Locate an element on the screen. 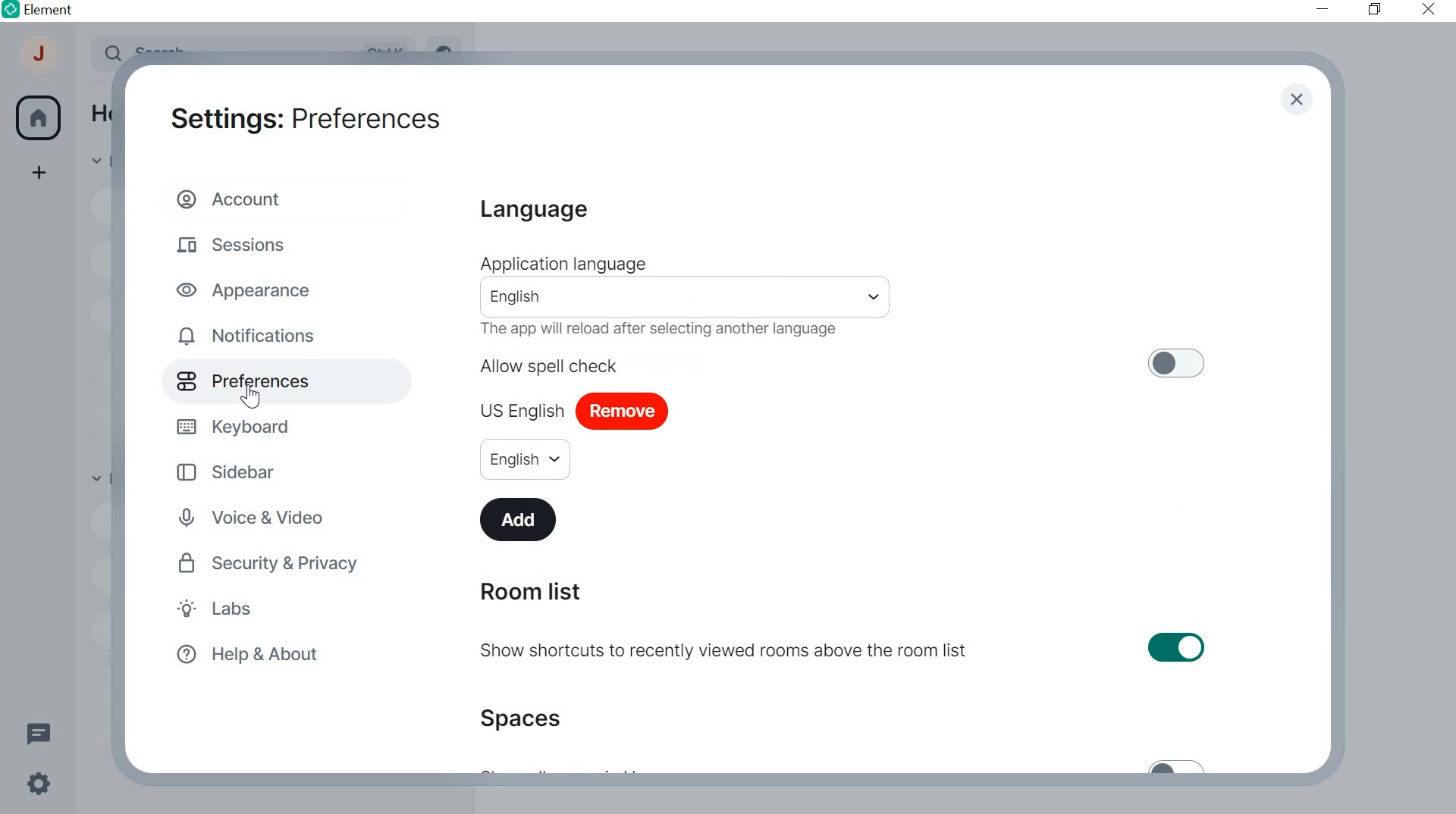 The image size is (1456, 814). ACCOUNT is located at coordinates (234, 198).